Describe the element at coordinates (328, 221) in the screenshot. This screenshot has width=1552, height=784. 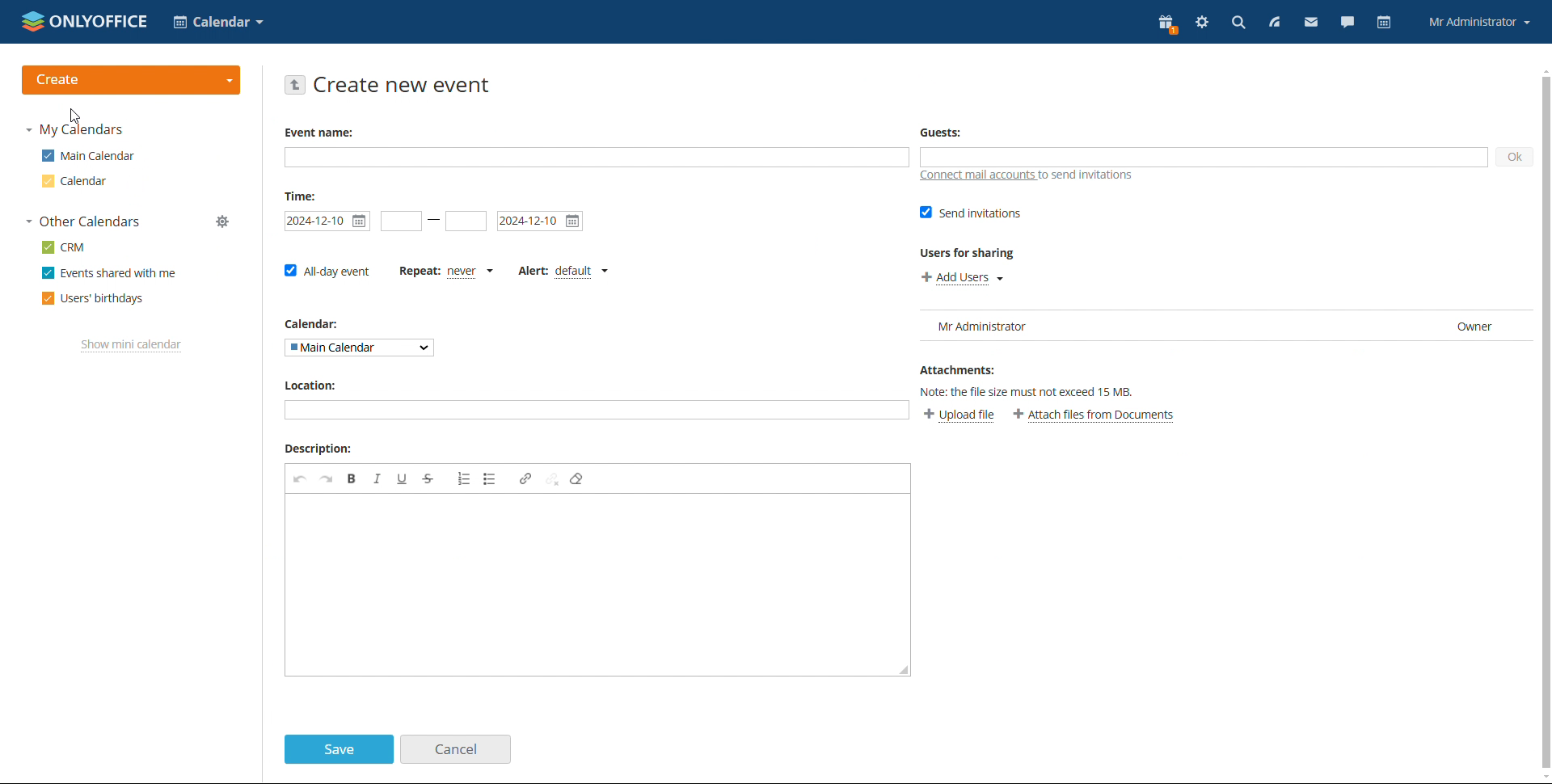
I see `start time` at that location.